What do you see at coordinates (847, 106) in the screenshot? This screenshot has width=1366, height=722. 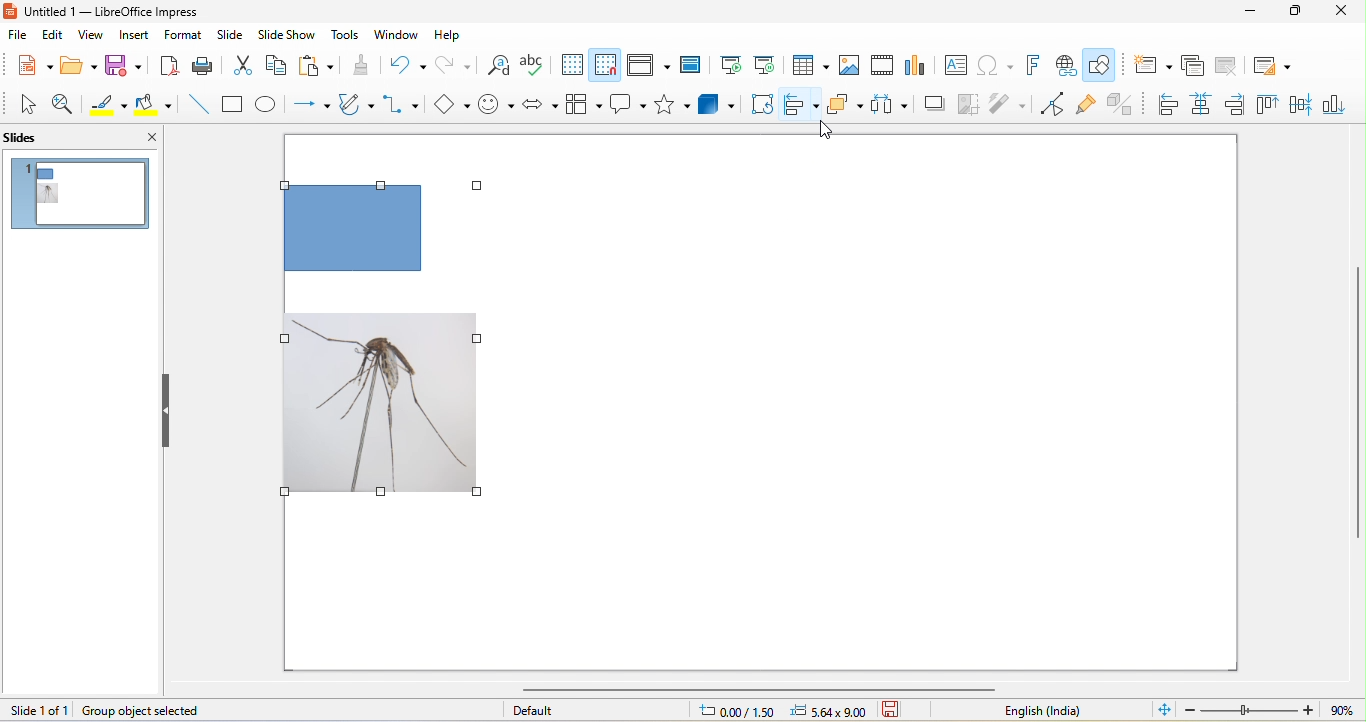 I see `arrange` at bounding box center [847, 106].